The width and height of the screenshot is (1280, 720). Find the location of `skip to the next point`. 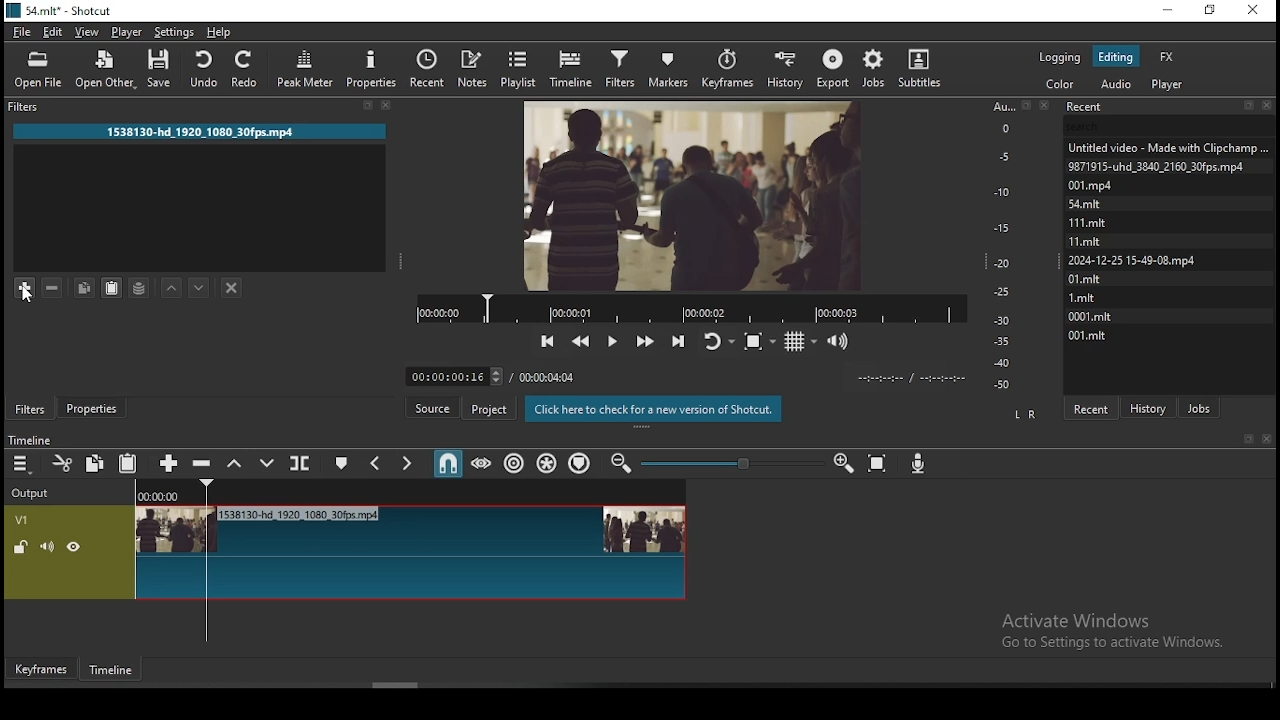

skip to the next point is located at coordinates (679, 341).